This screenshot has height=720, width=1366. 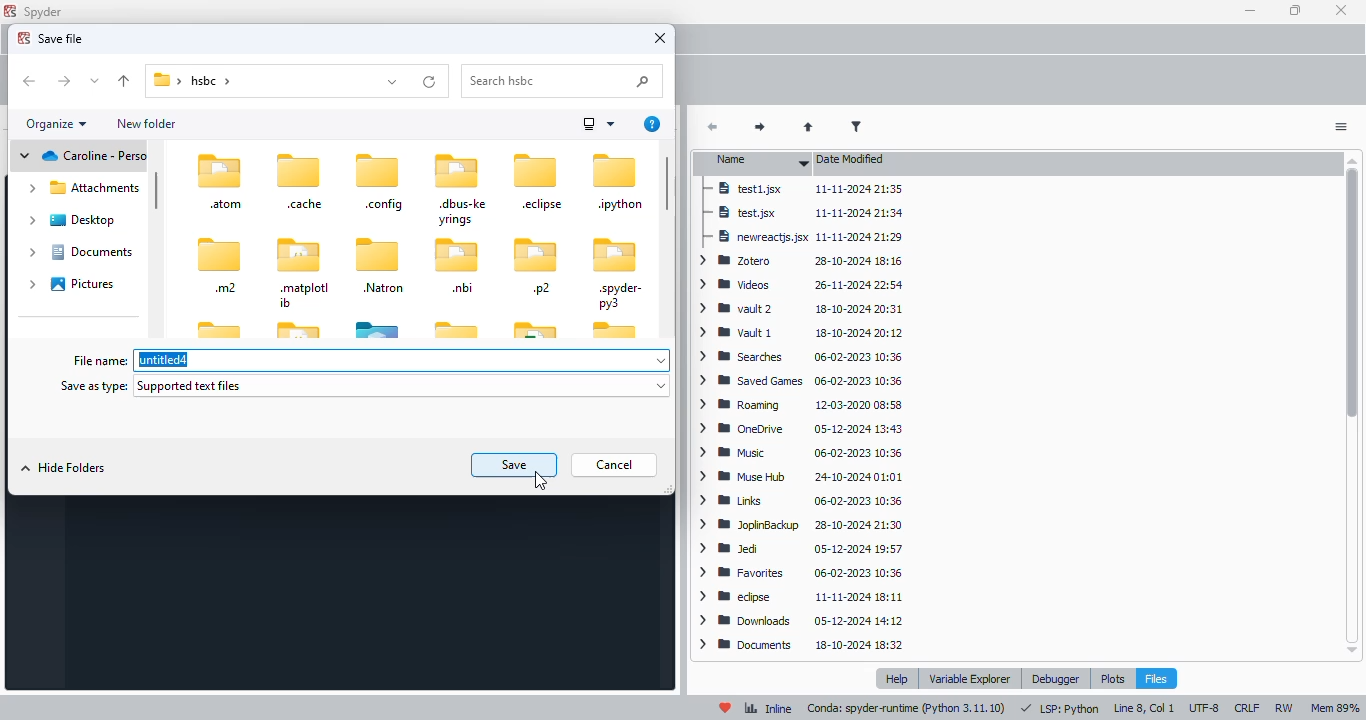 What do you see at coordinates (744, 572) in the screenshot?
I see `Favorites` at bounding box center [744, 572].